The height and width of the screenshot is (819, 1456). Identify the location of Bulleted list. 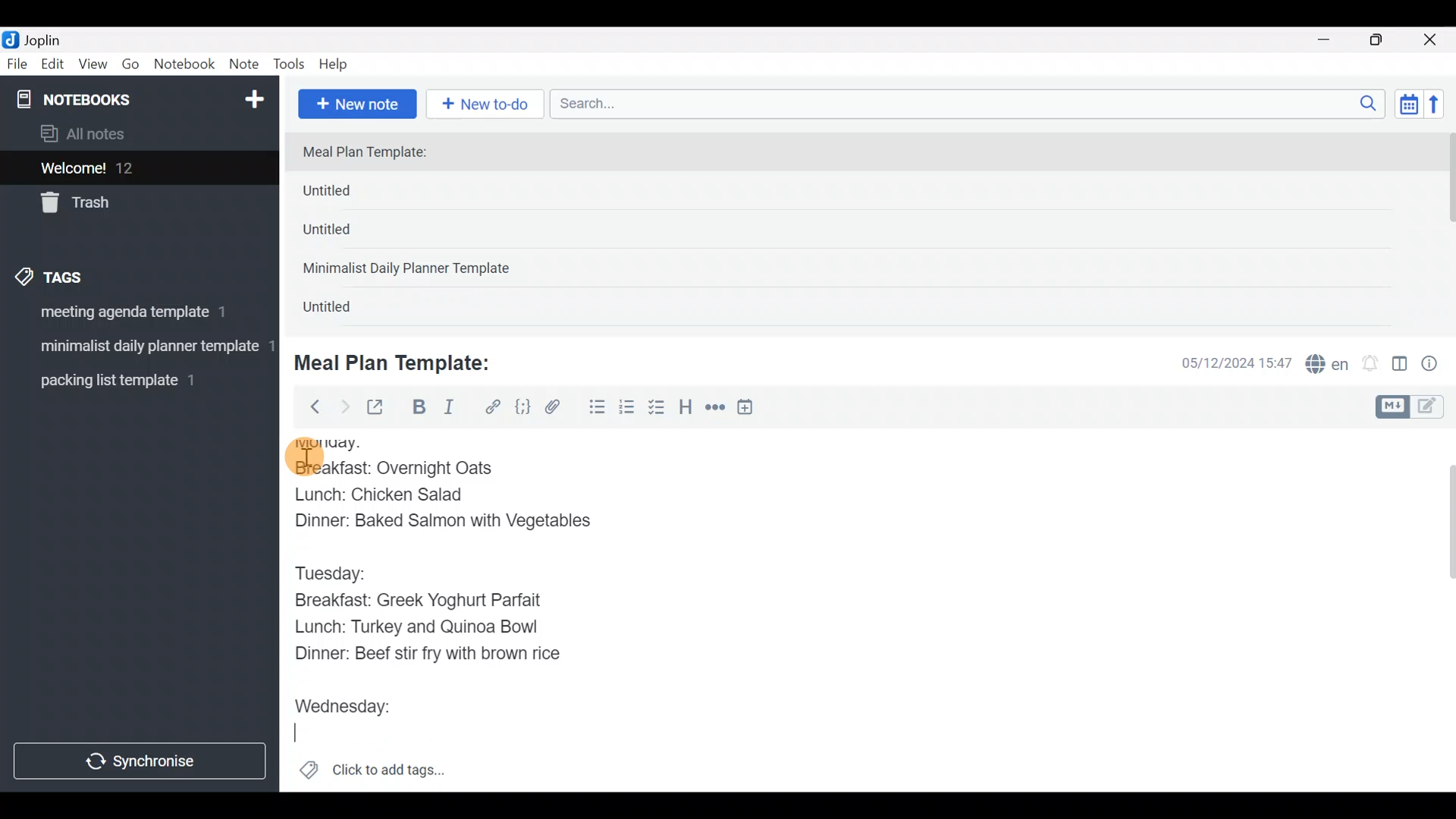
(594, 408).